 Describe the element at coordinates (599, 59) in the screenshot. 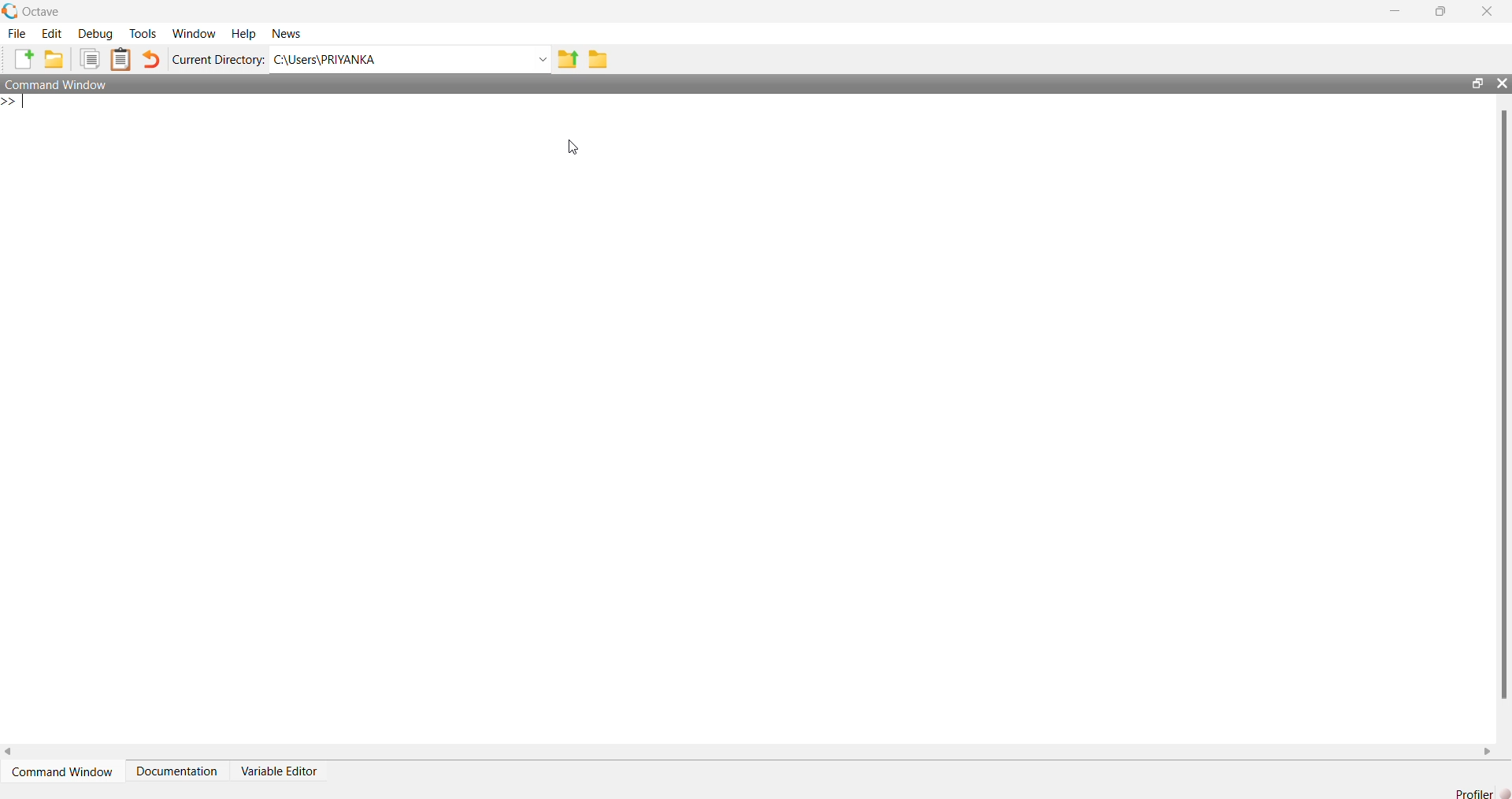

I see `Browse Directions` at that location.